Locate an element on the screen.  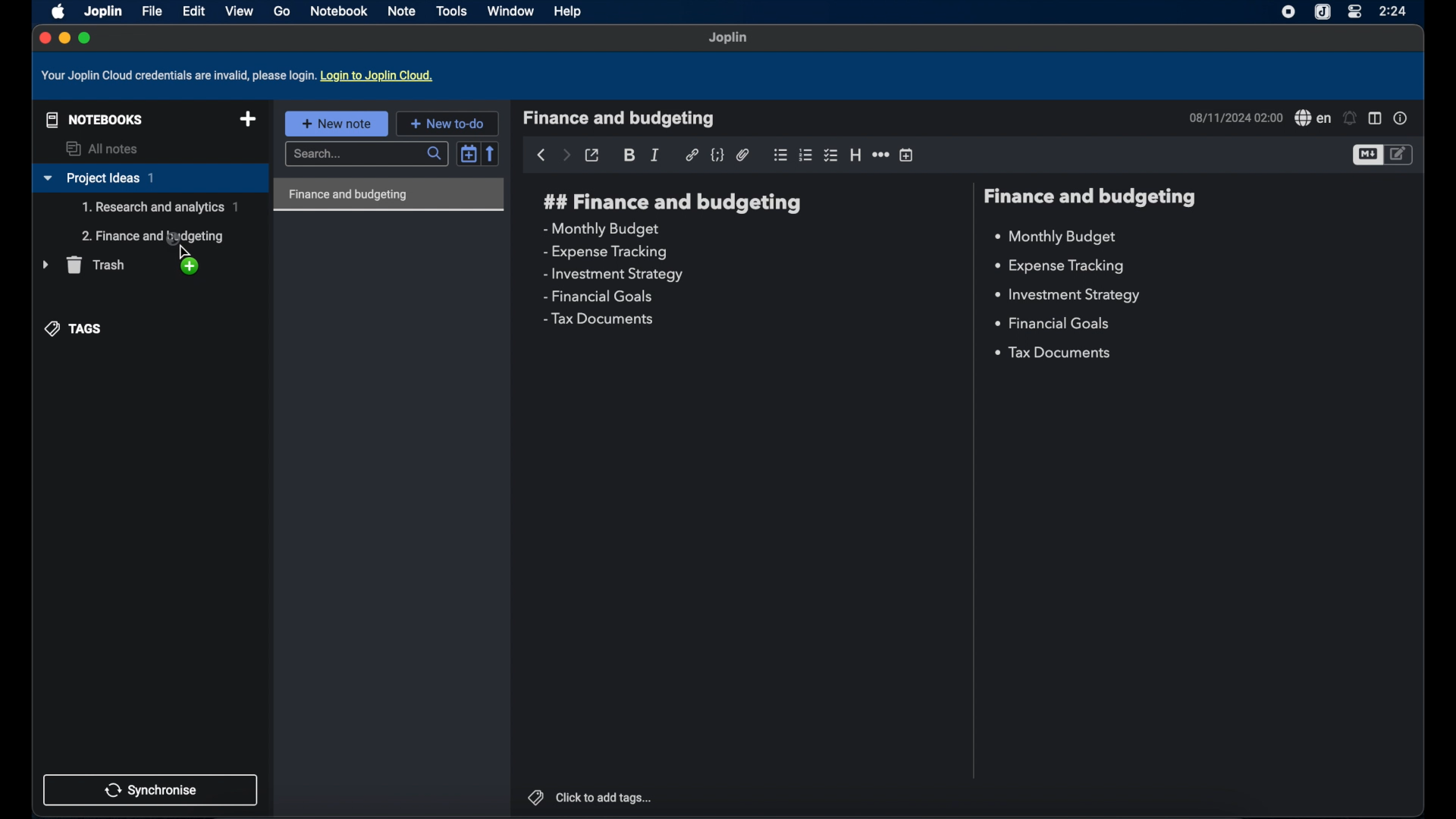
window is located at coordinates (510, 11).